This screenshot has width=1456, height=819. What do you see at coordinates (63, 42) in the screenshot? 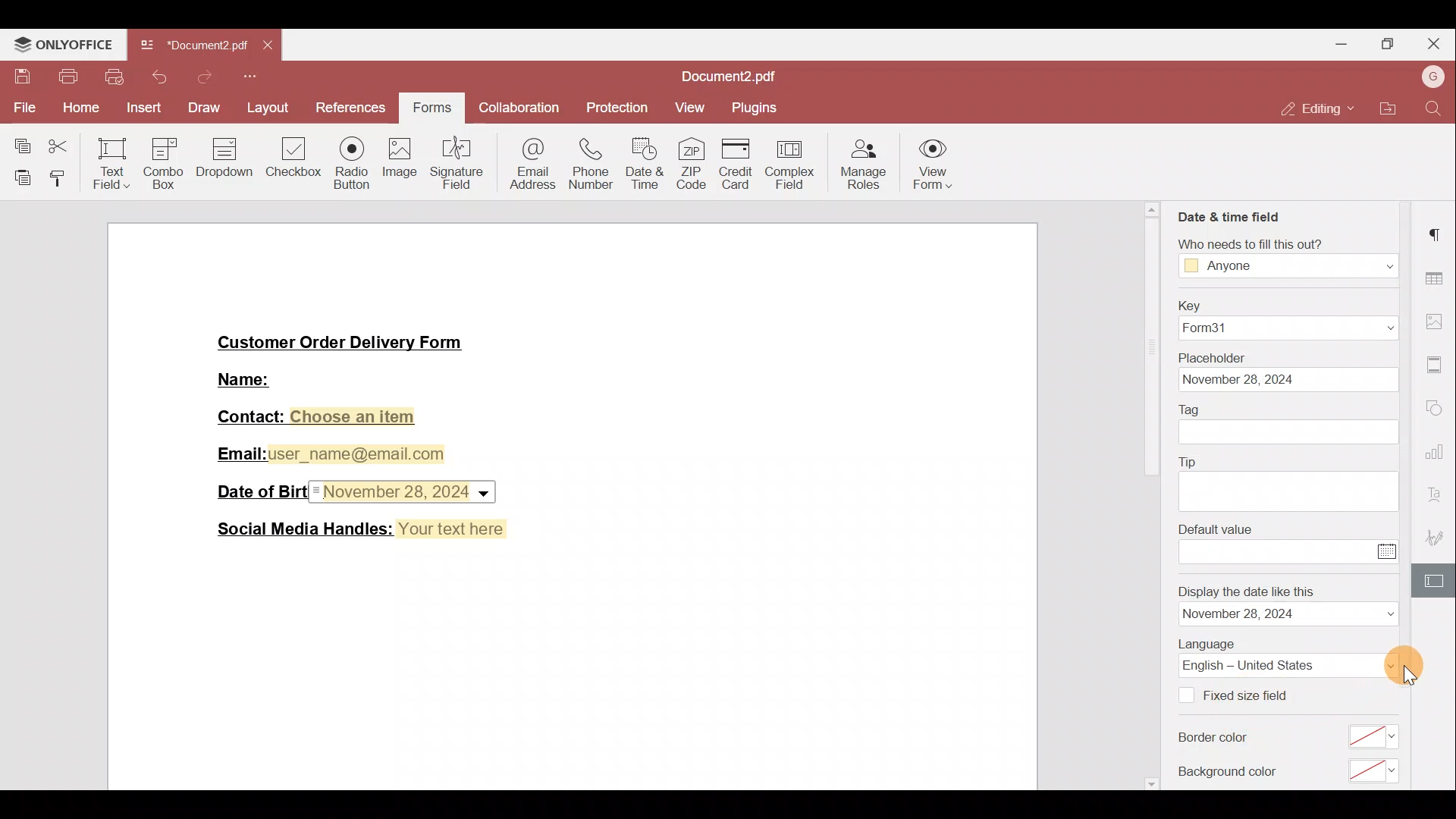
I see `ONLYOFFICE` at bounding box center [63, 42].